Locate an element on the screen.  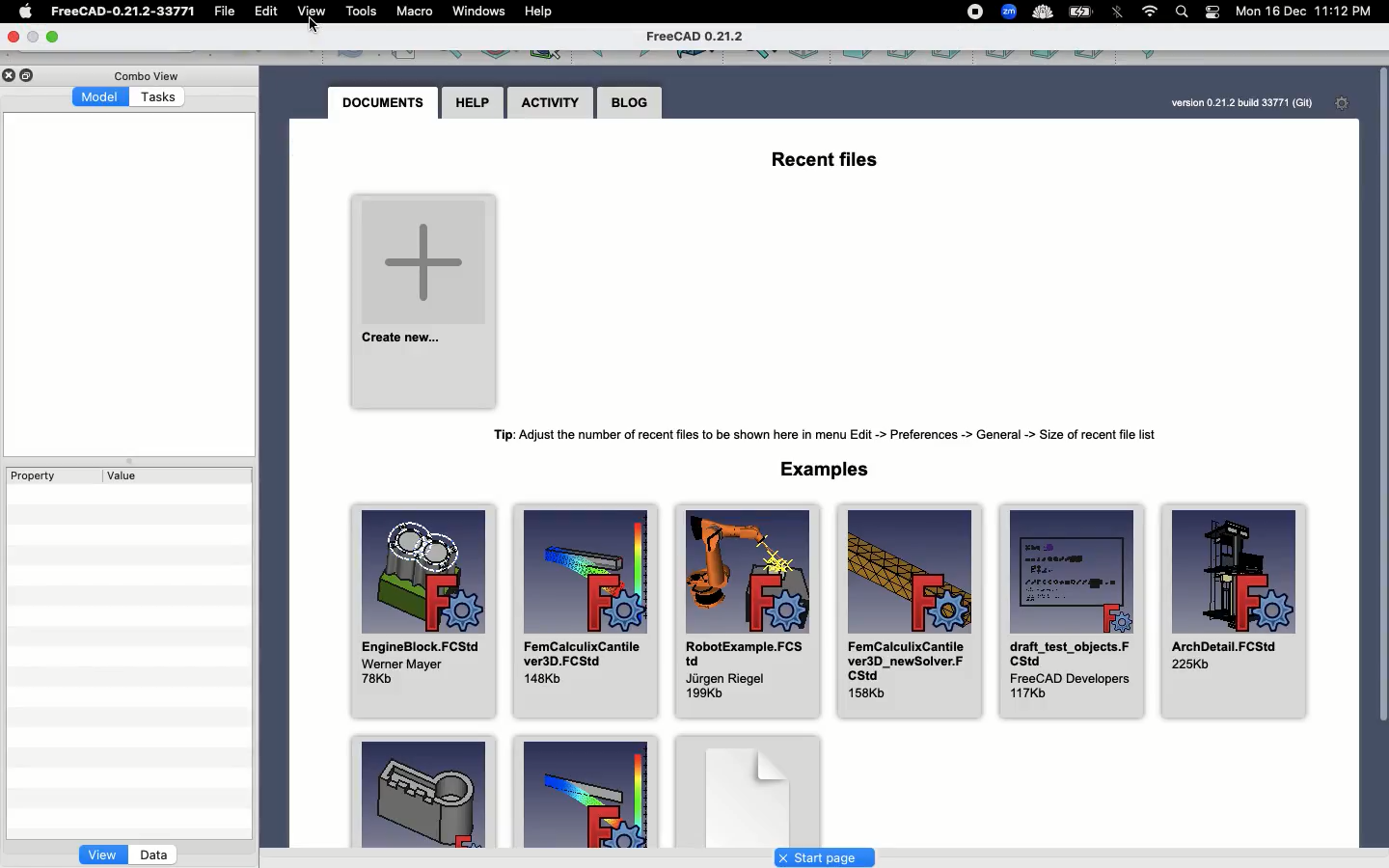
Tip: Adjust the number of recent files to be shown here in menu Edit -> Preferences -> General -> Size of recent file list is located at coordinates (833, 432).